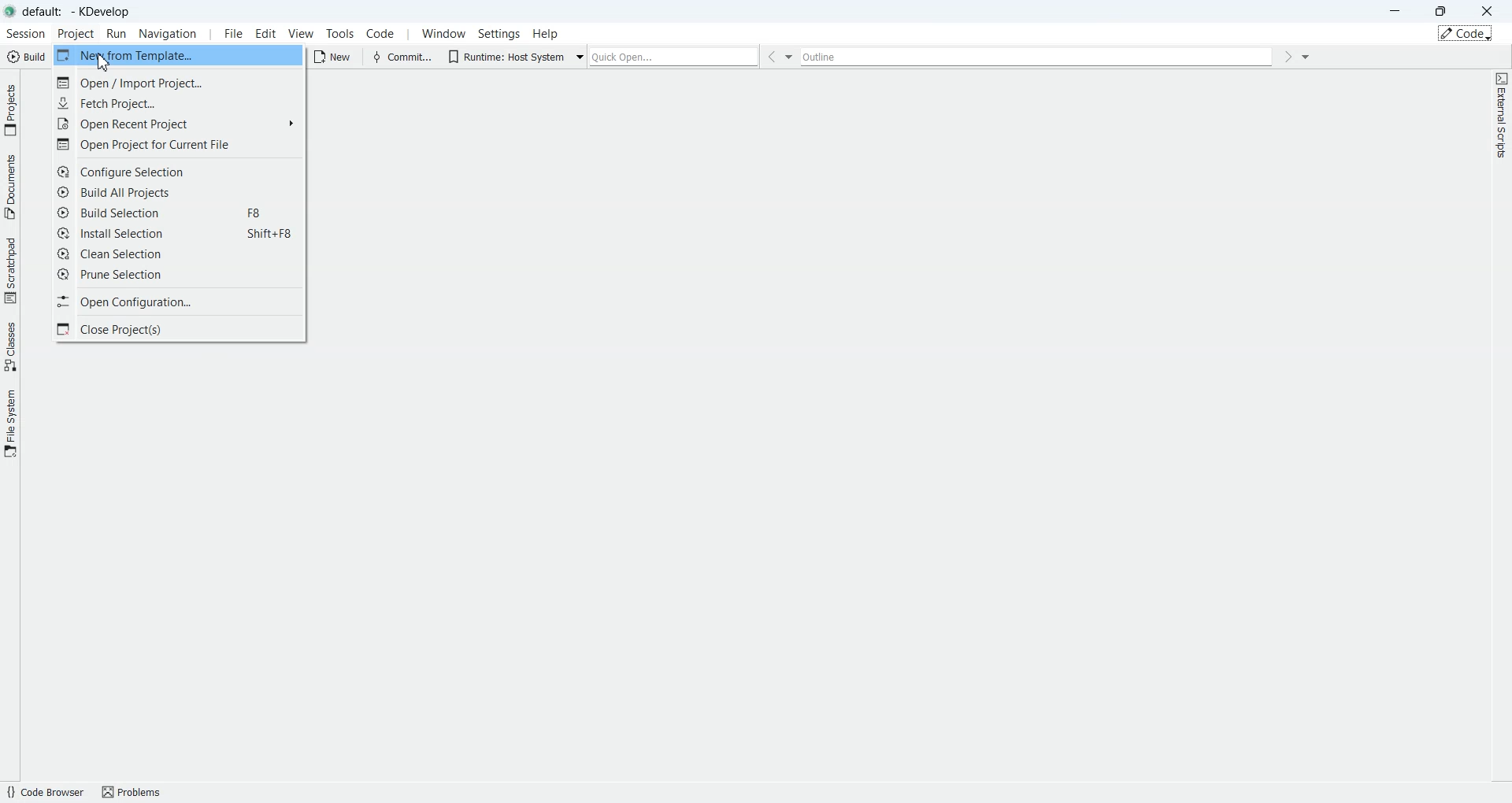 The width and height of the screenshot is (1512, 803). Describe the element at coordinates (581, 55) in the screenshot. I see `Drop down box` at that location.